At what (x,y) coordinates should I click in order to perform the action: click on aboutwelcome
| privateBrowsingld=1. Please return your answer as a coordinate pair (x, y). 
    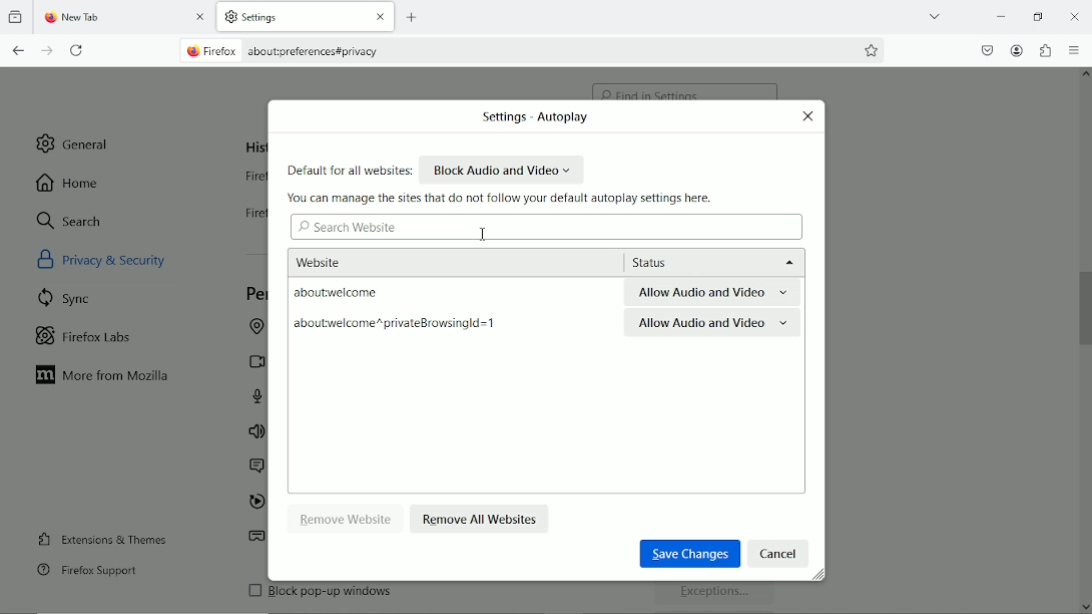
    Looking at the image, I should click on (395, 325).